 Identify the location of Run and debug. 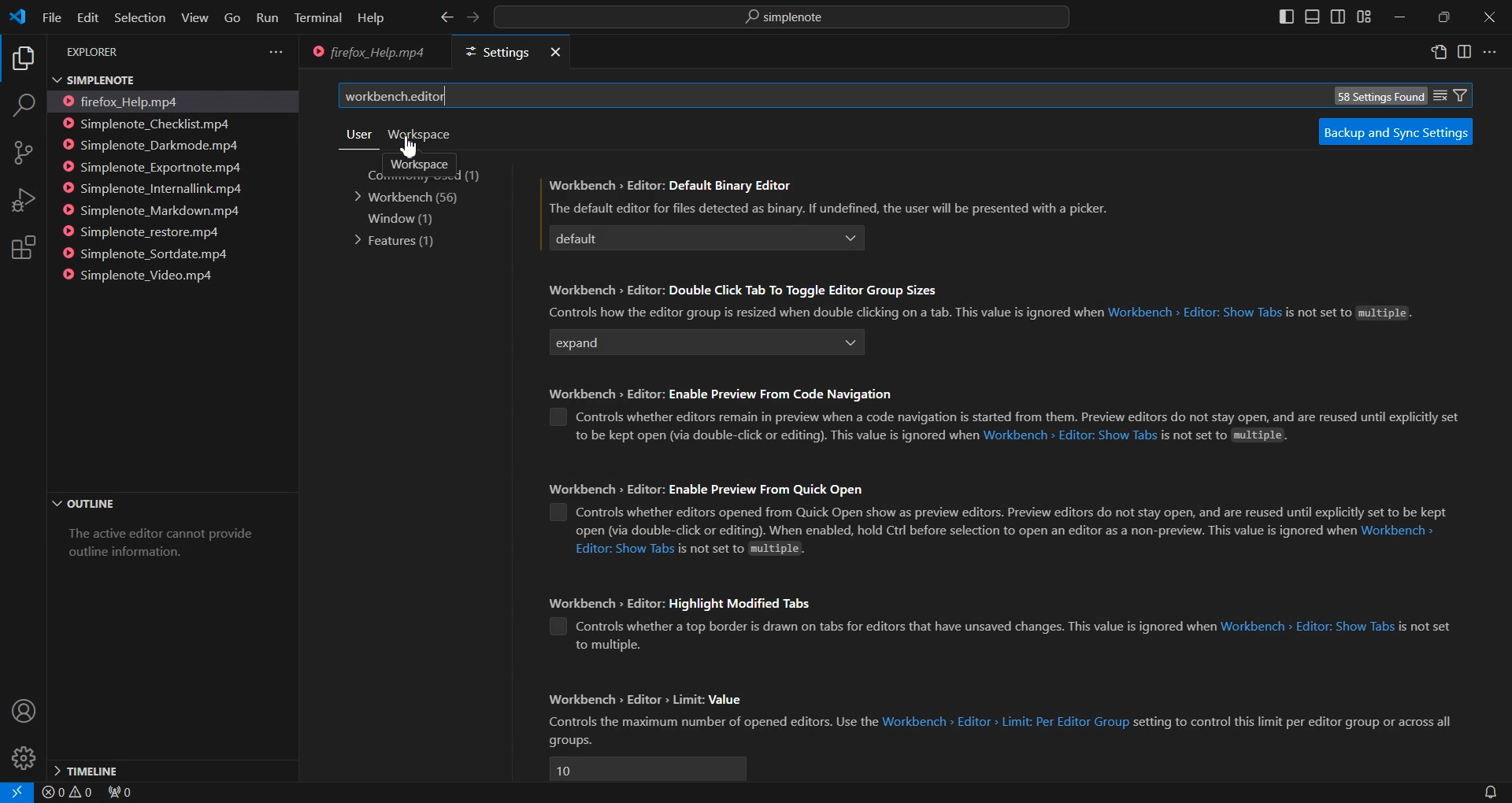
(22, 200).